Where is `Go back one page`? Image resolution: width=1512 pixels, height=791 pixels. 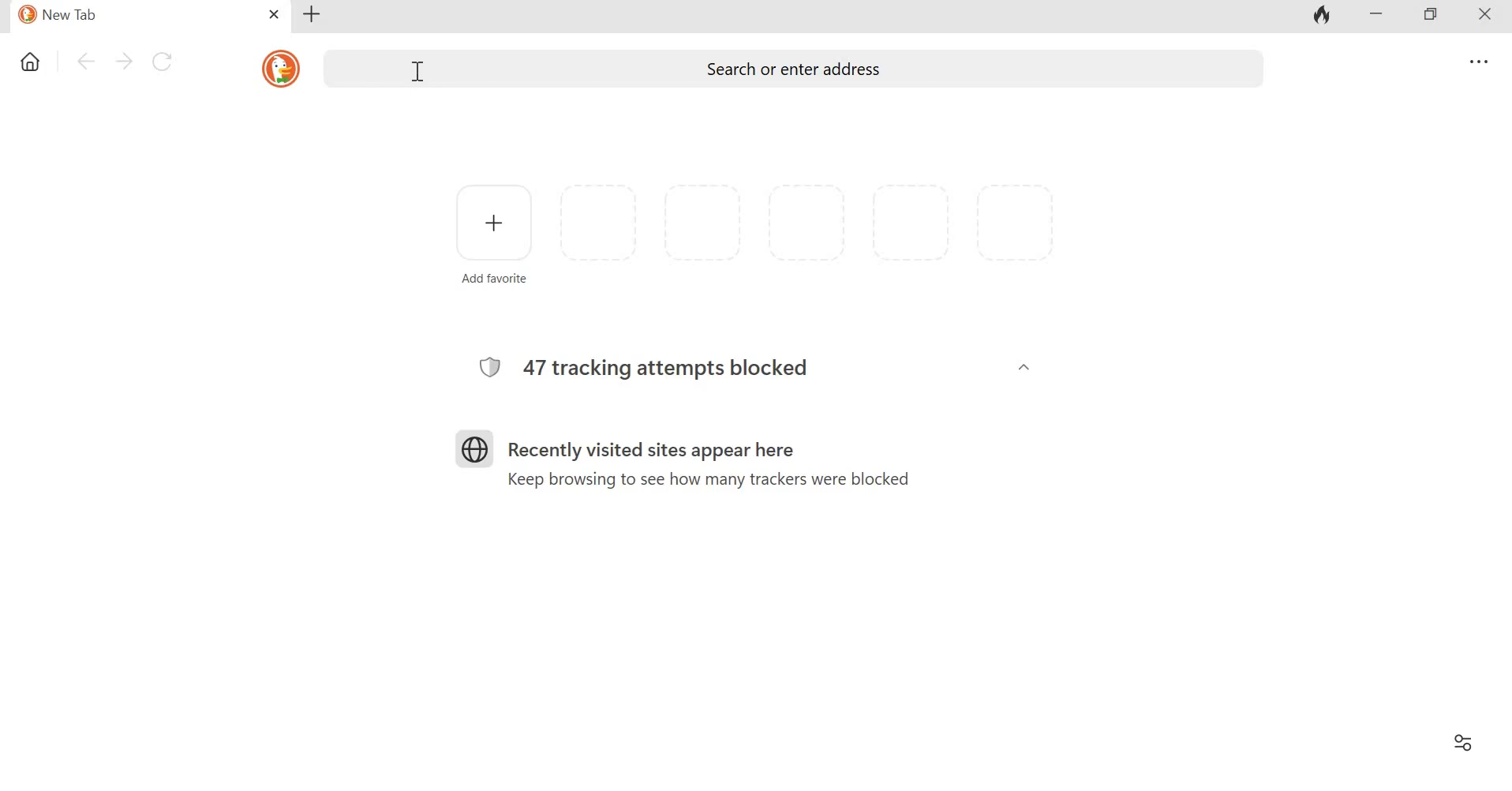 Go back one page is located at coordinates (86, 60).